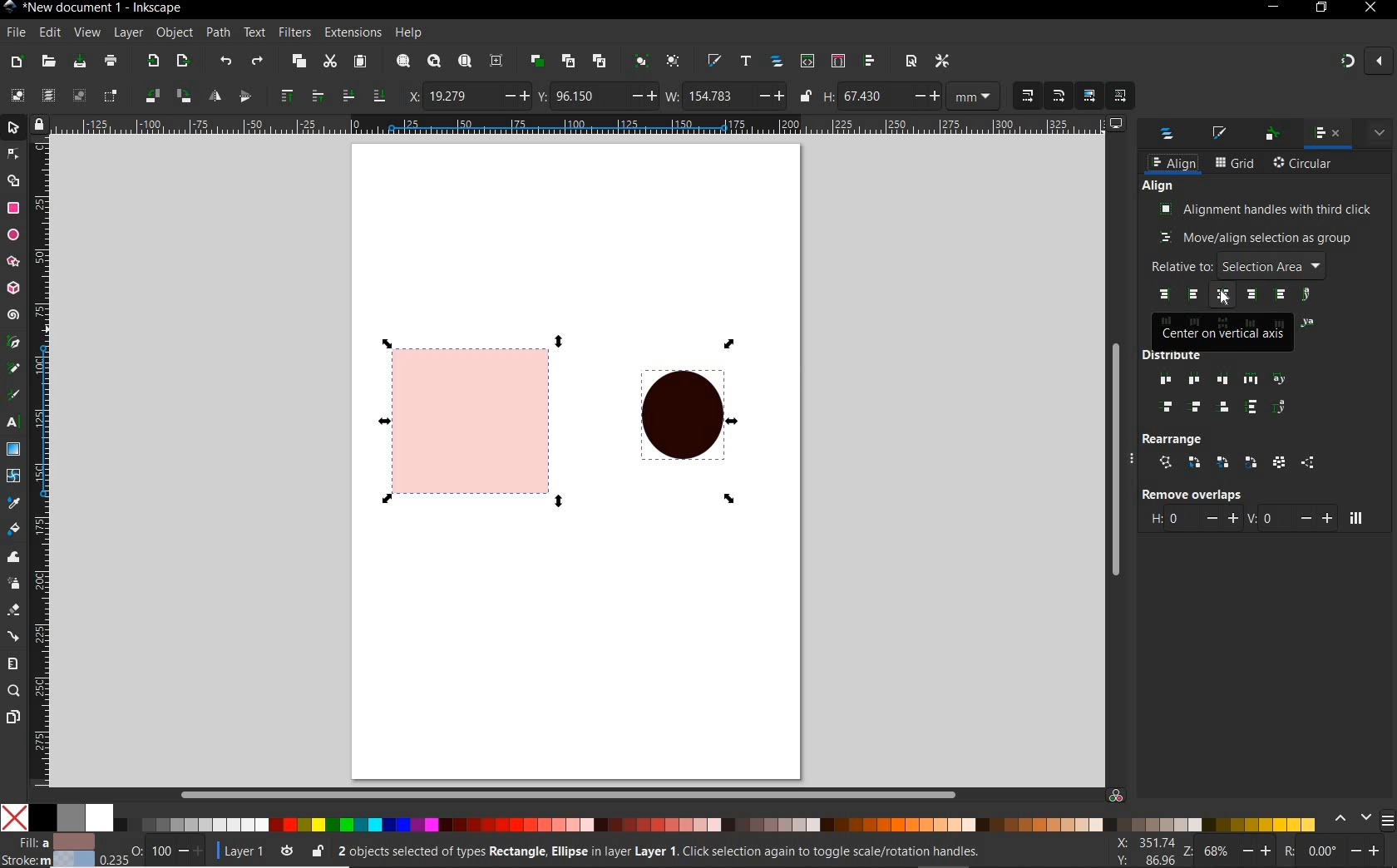 This screenshot has height=868, width=1397. What do you see at coordinates (318, 851) in the screenshot?
I see `lock or unlock the object` at bounding box center [318, 851].